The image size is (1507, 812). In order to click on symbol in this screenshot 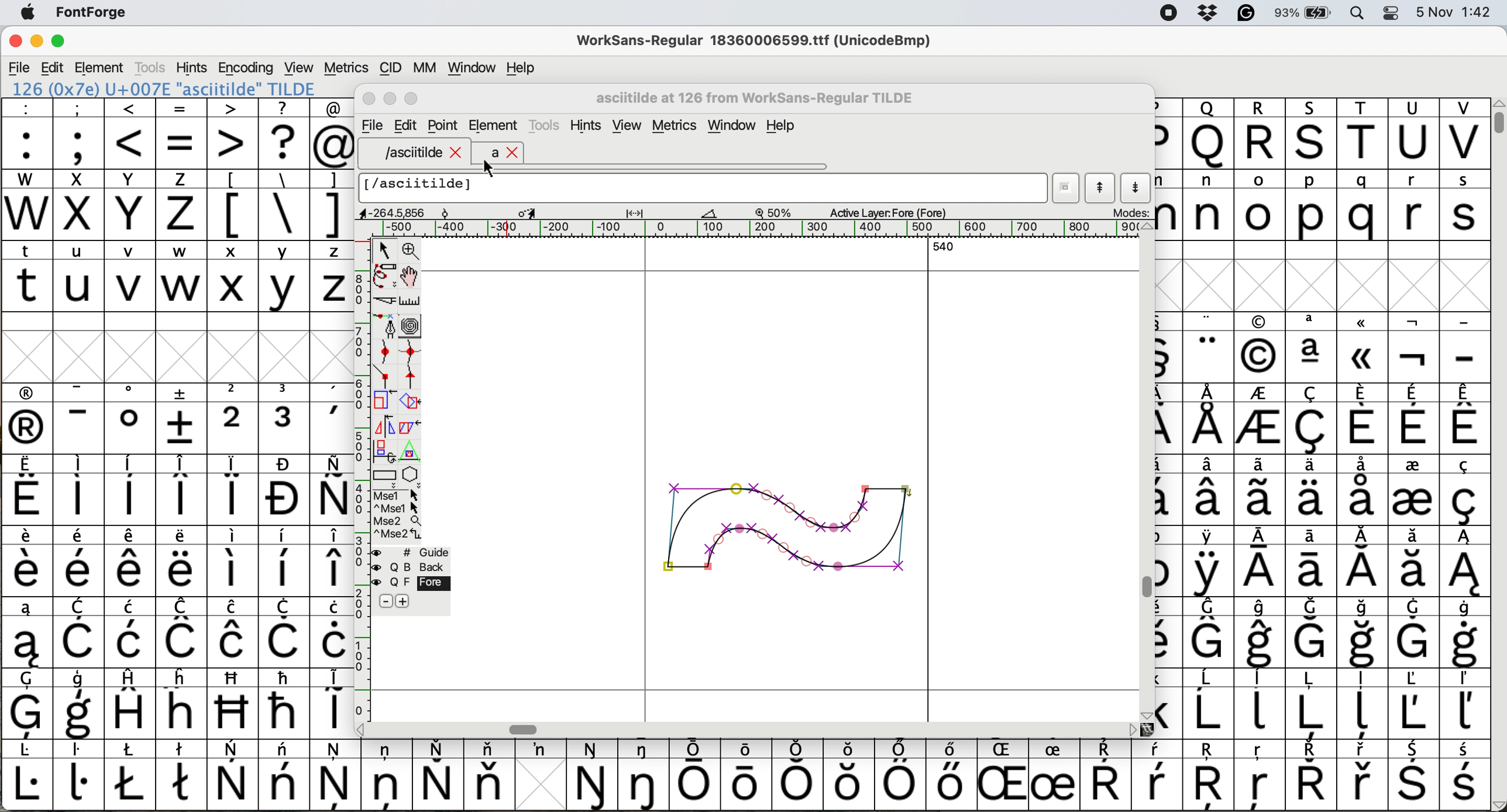, I will do `click(332, 701)`.